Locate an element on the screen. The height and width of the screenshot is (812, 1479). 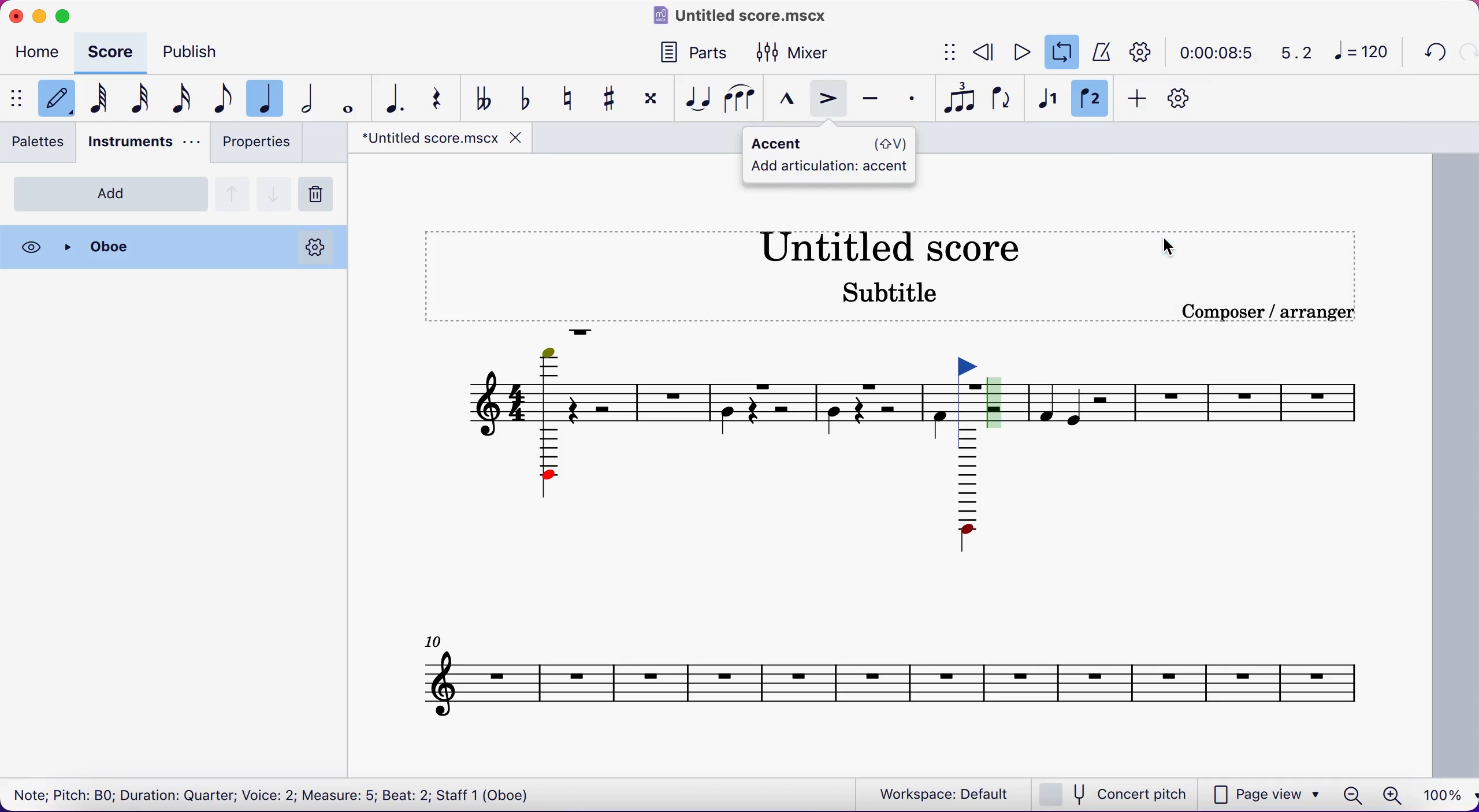
toggle double flat is located at coordinates (484, 98).